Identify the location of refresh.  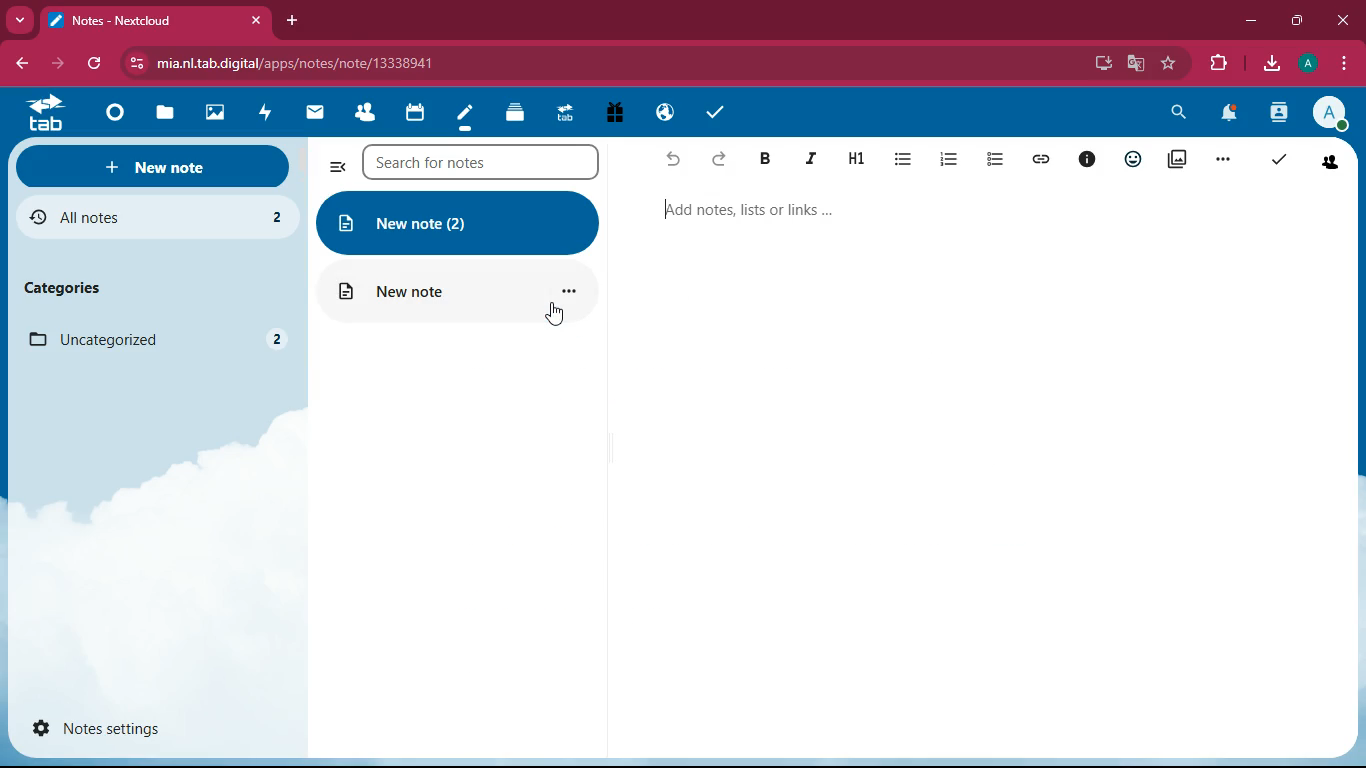
(97, 64).